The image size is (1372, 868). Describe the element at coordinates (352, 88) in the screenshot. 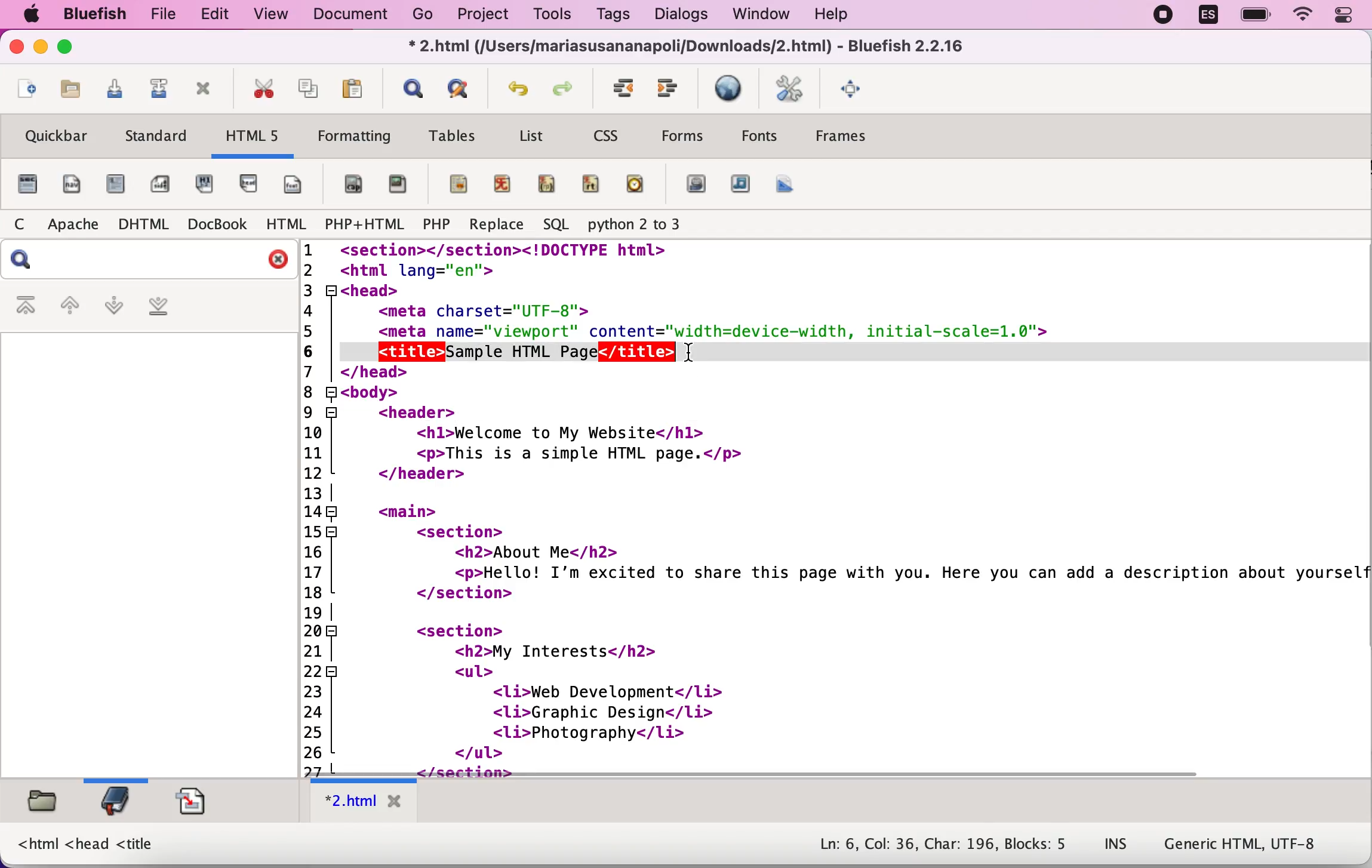

I see `paste` at that location.